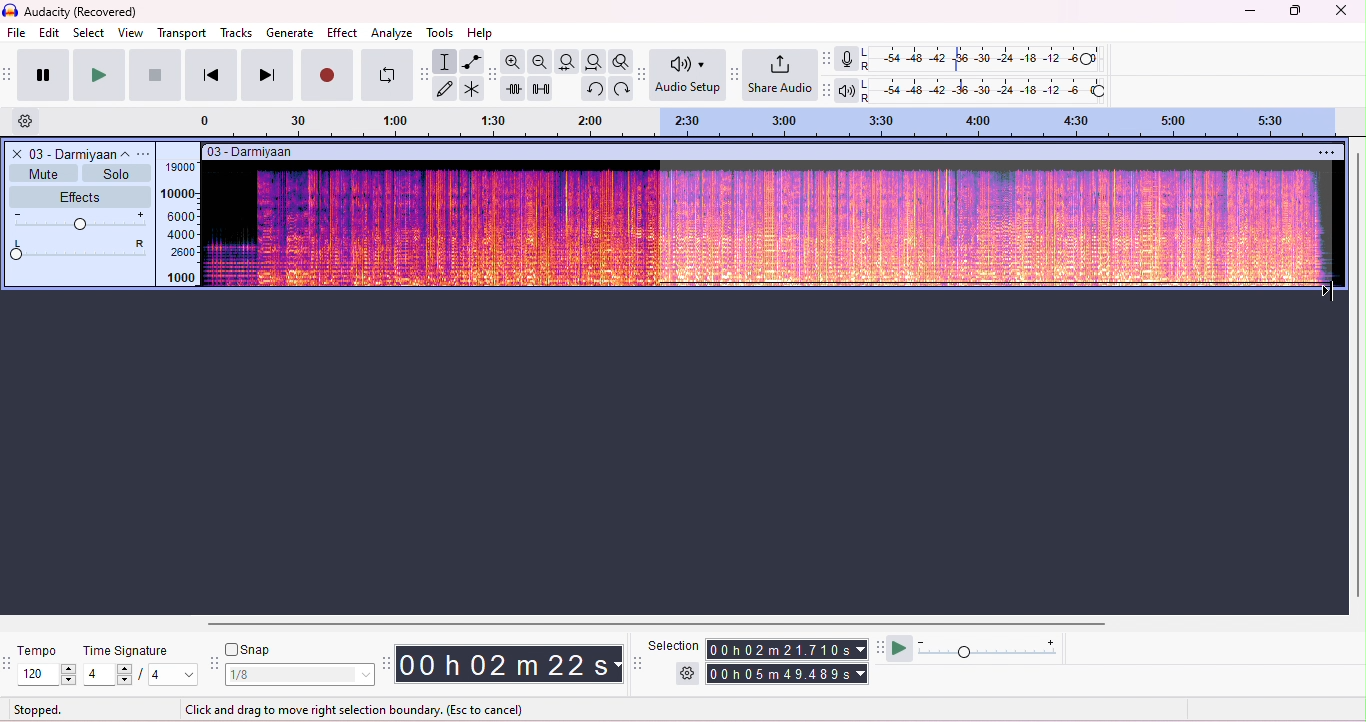  What do you see at coordinates (593, 61) in the screenshot?
I see `fit project to width` at bounding box center [593, 61].